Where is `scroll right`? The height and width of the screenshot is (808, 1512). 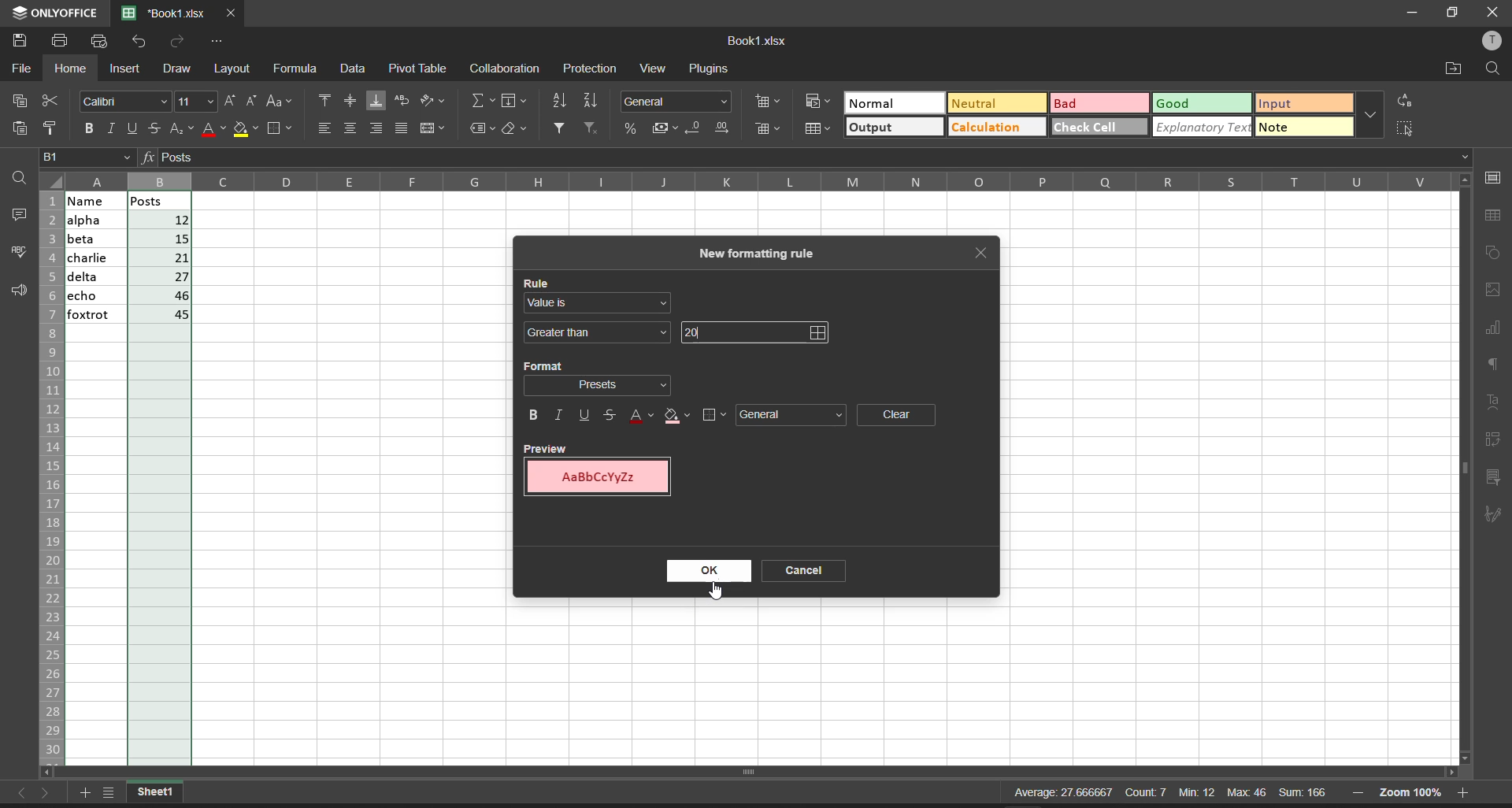
scroll right is located at coordinates (1448, 773).